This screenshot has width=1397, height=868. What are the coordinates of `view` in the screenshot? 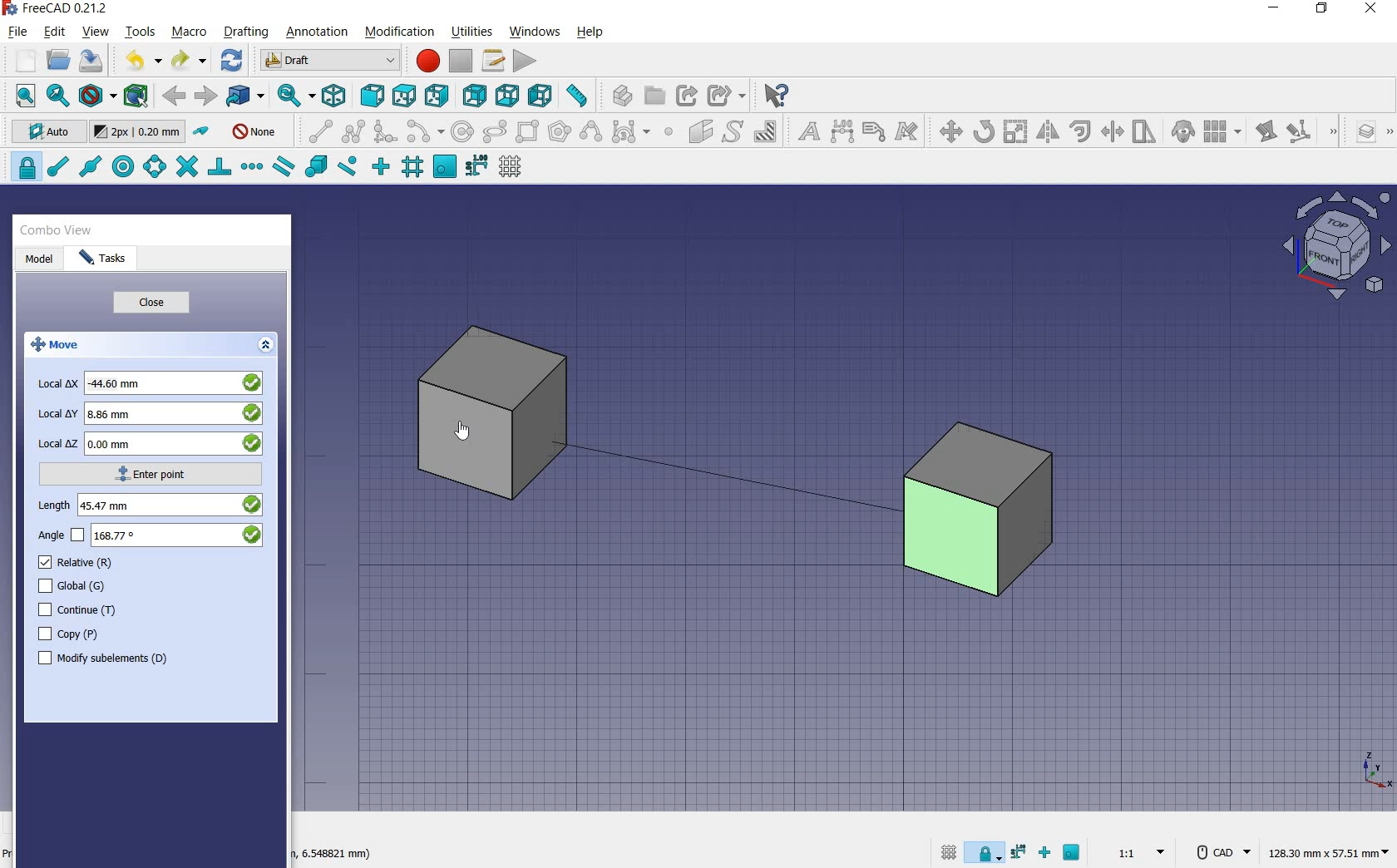 It's located at (96, 31).